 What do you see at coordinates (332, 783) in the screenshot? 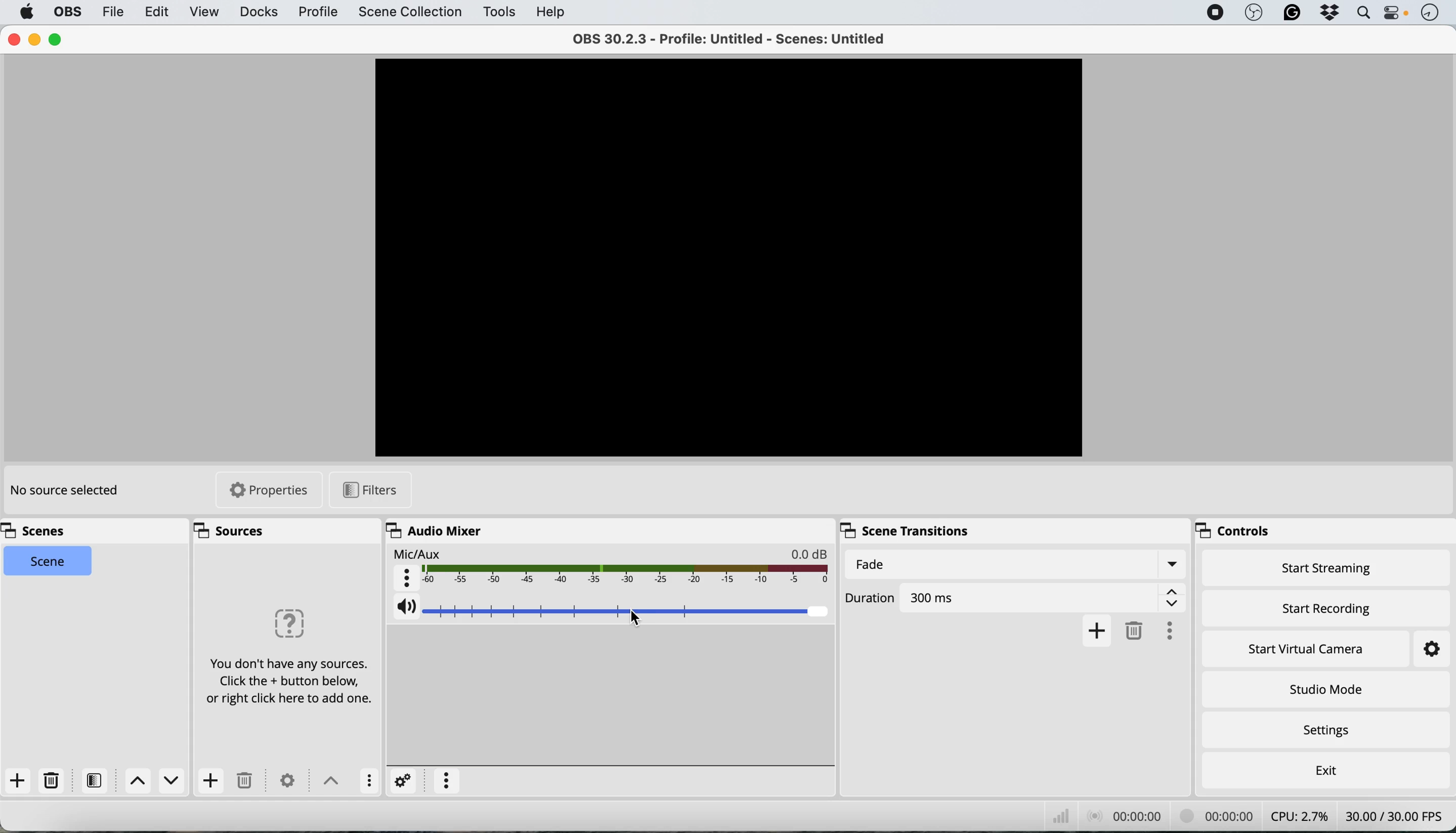
I see `toggle between sources` at bounding box center [332, 783].